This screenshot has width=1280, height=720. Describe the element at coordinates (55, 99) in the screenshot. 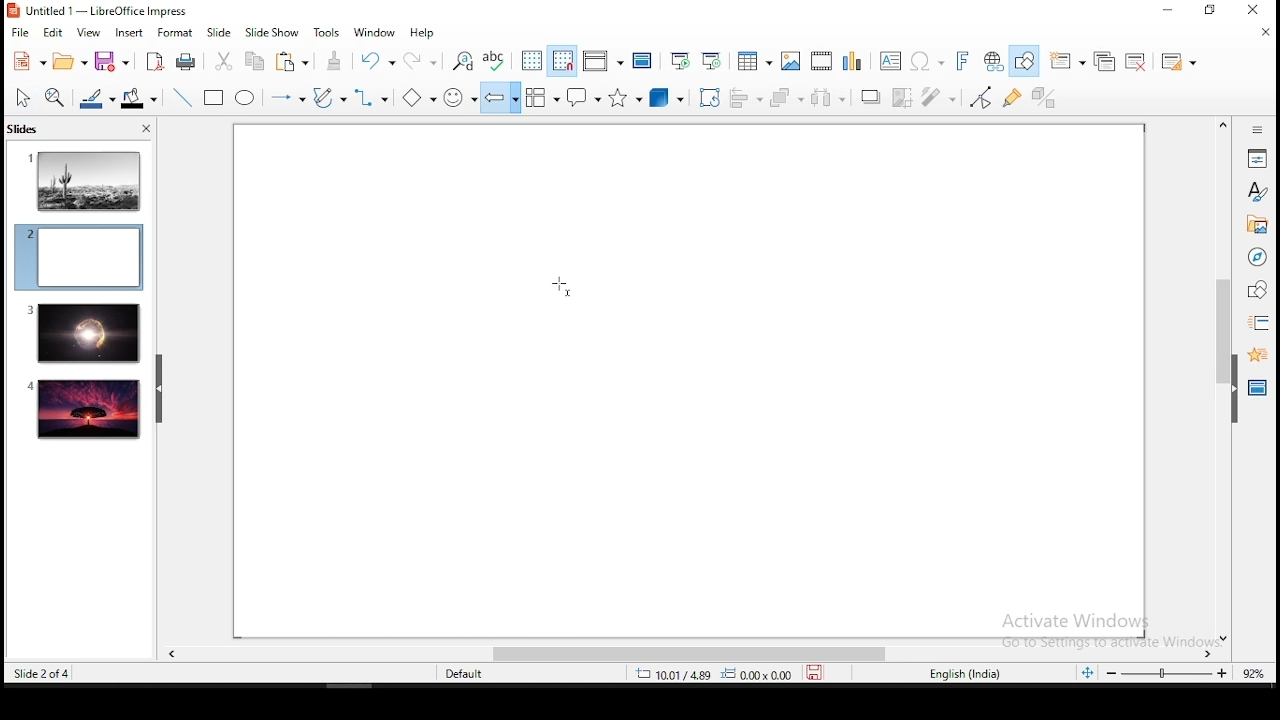

I see `zoom tool` at that location.